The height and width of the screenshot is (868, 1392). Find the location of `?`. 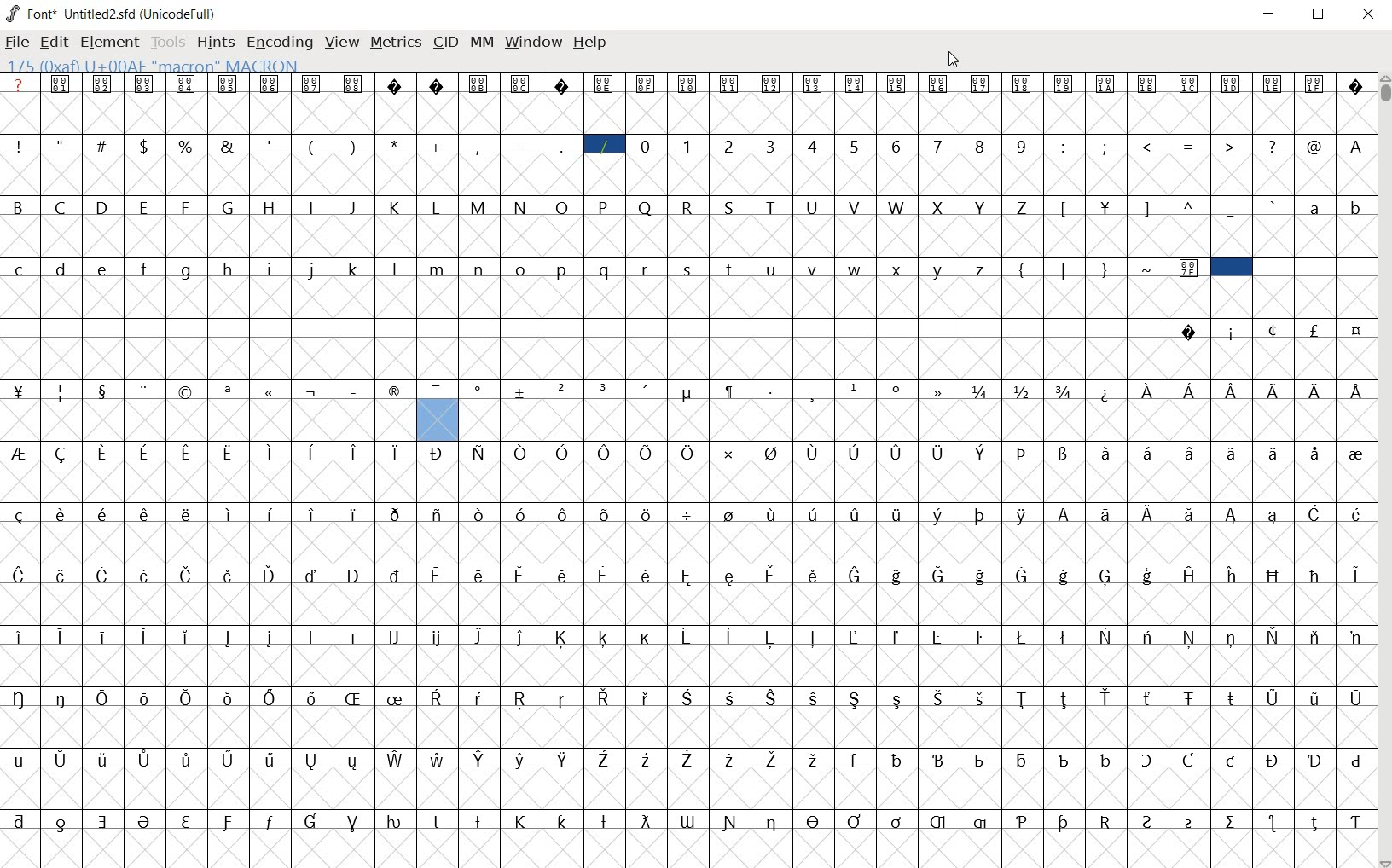

? is located at coordinates (20, 85).